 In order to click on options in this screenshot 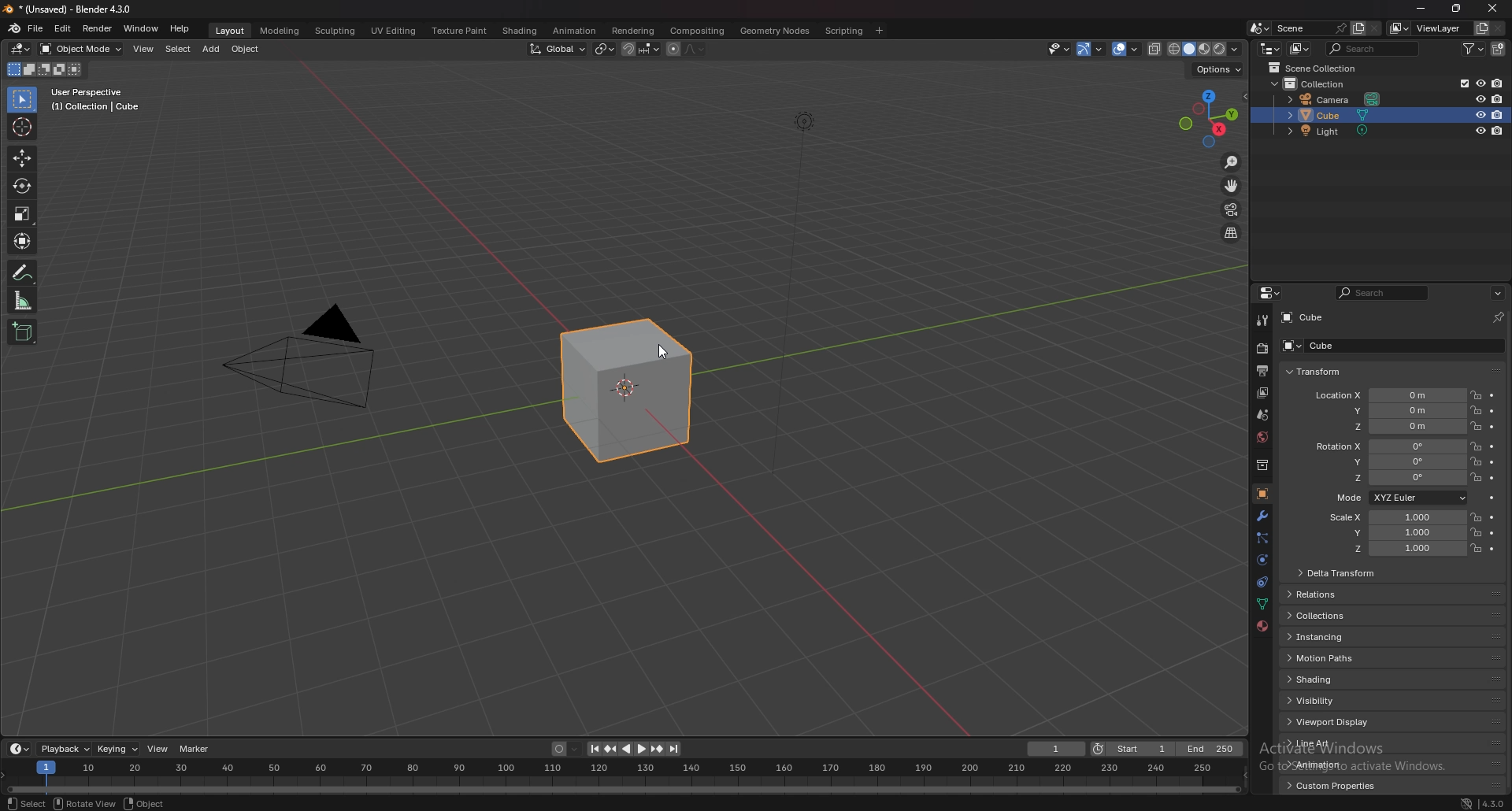, I will do `click(1217, 69)`.